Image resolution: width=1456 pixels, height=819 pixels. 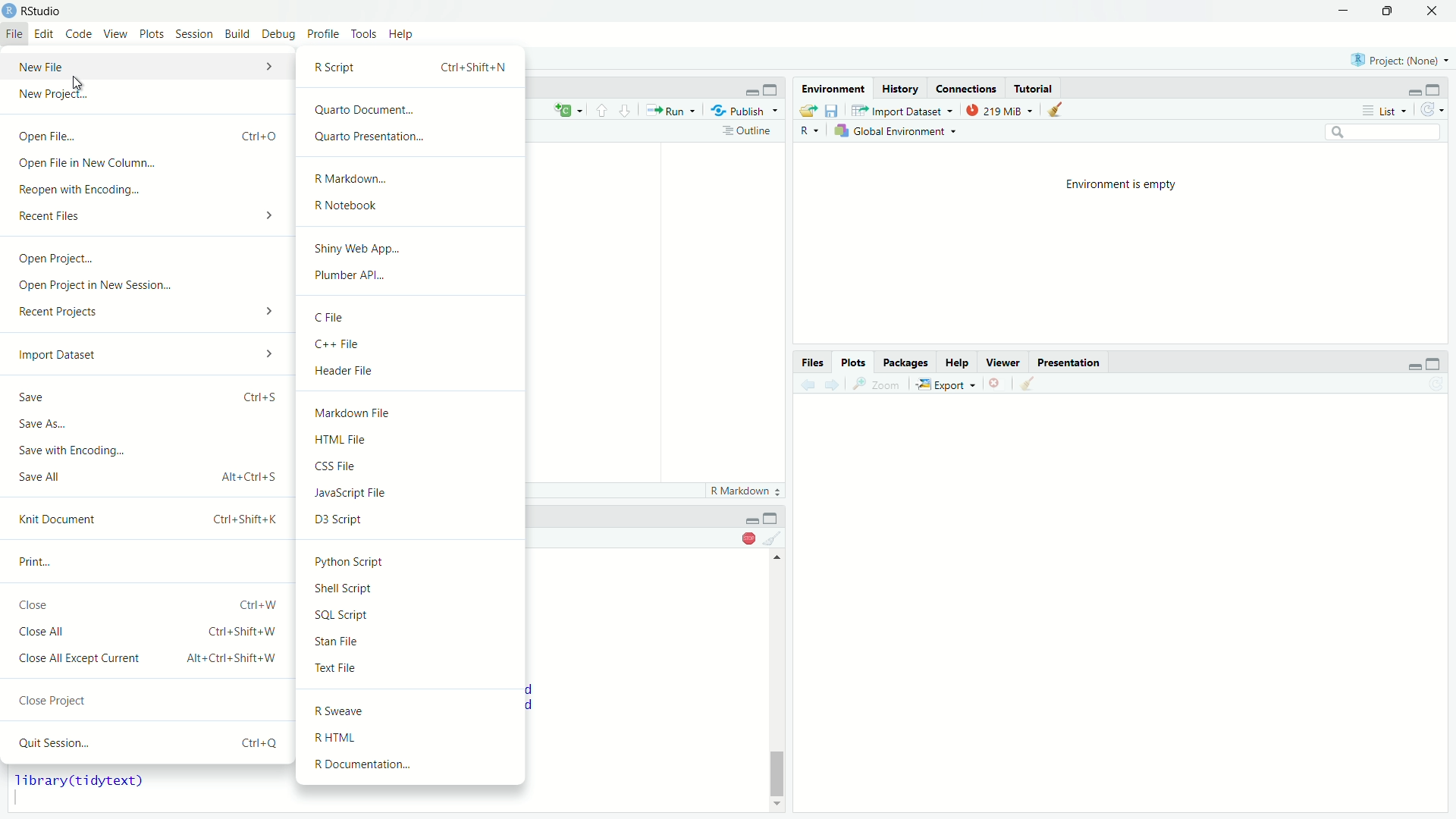 I want to click on load workspace, so click(x=810, y=111).